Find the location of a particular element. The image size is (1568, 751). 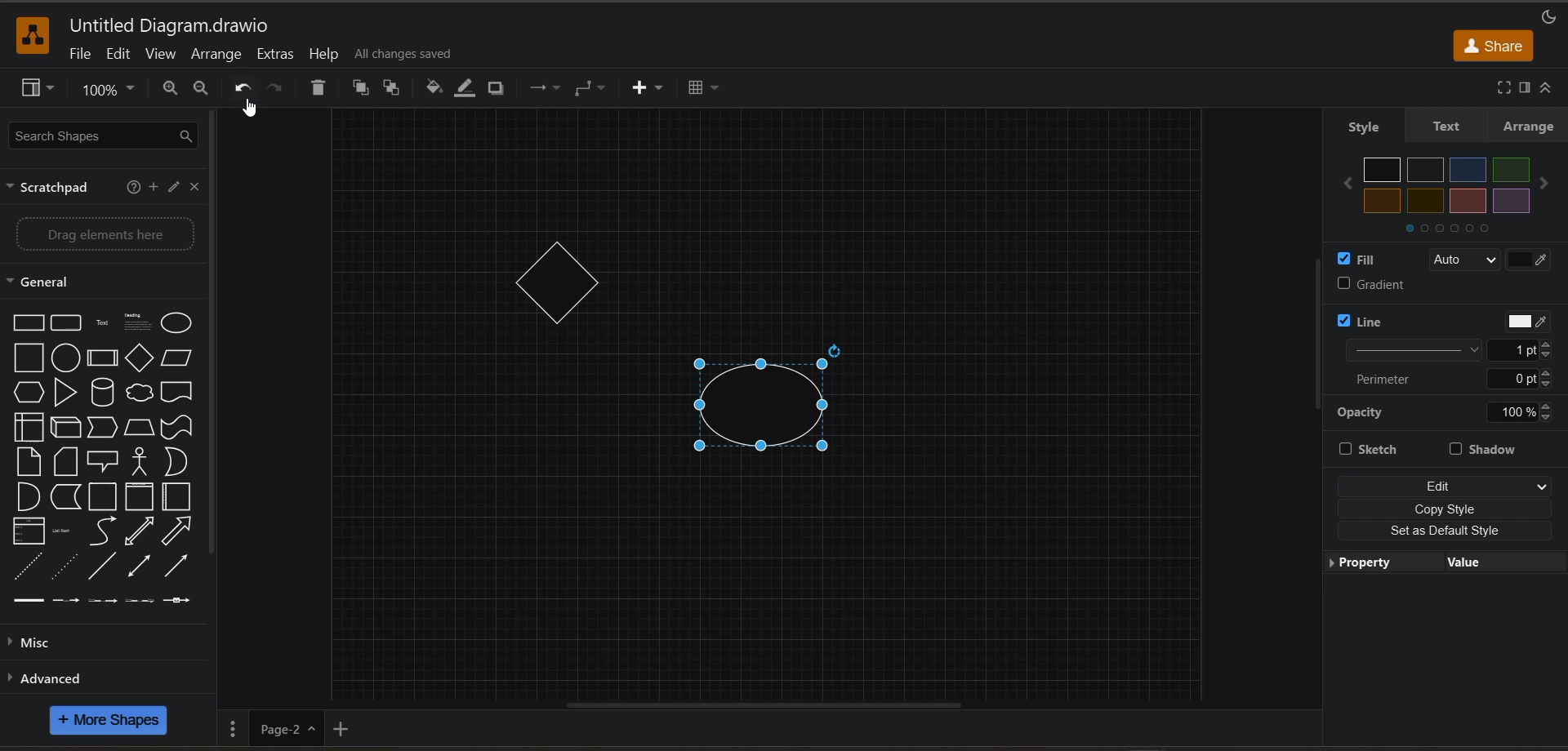

Internal Document is located at coordinates (29, 426).